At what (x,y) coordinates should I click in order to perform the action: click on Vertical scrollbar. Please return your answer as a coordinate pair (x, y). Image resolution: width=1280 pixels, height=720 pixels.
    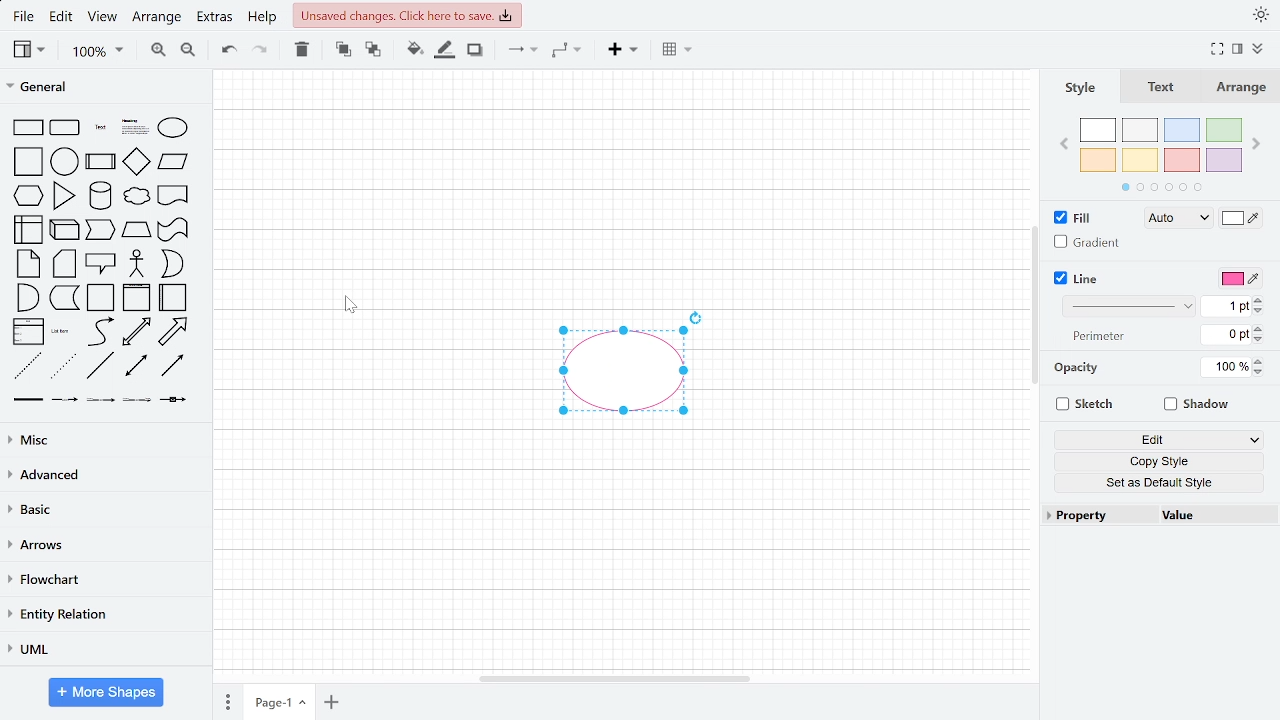
    Looking at the image, I should click on (1032, 308).